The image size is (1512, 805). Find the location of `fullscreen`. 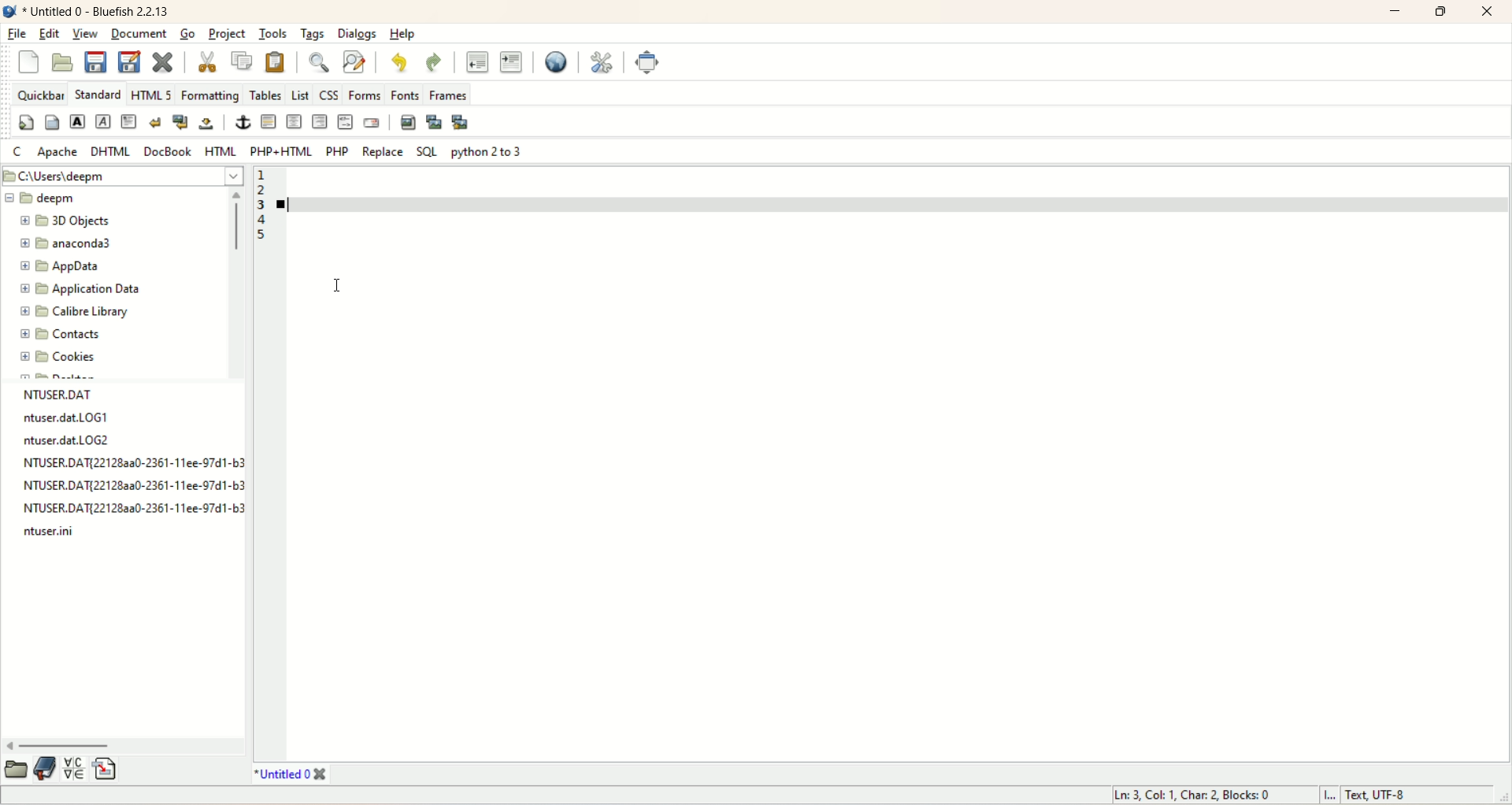

fullscreen is located at coordinates (647, 63).